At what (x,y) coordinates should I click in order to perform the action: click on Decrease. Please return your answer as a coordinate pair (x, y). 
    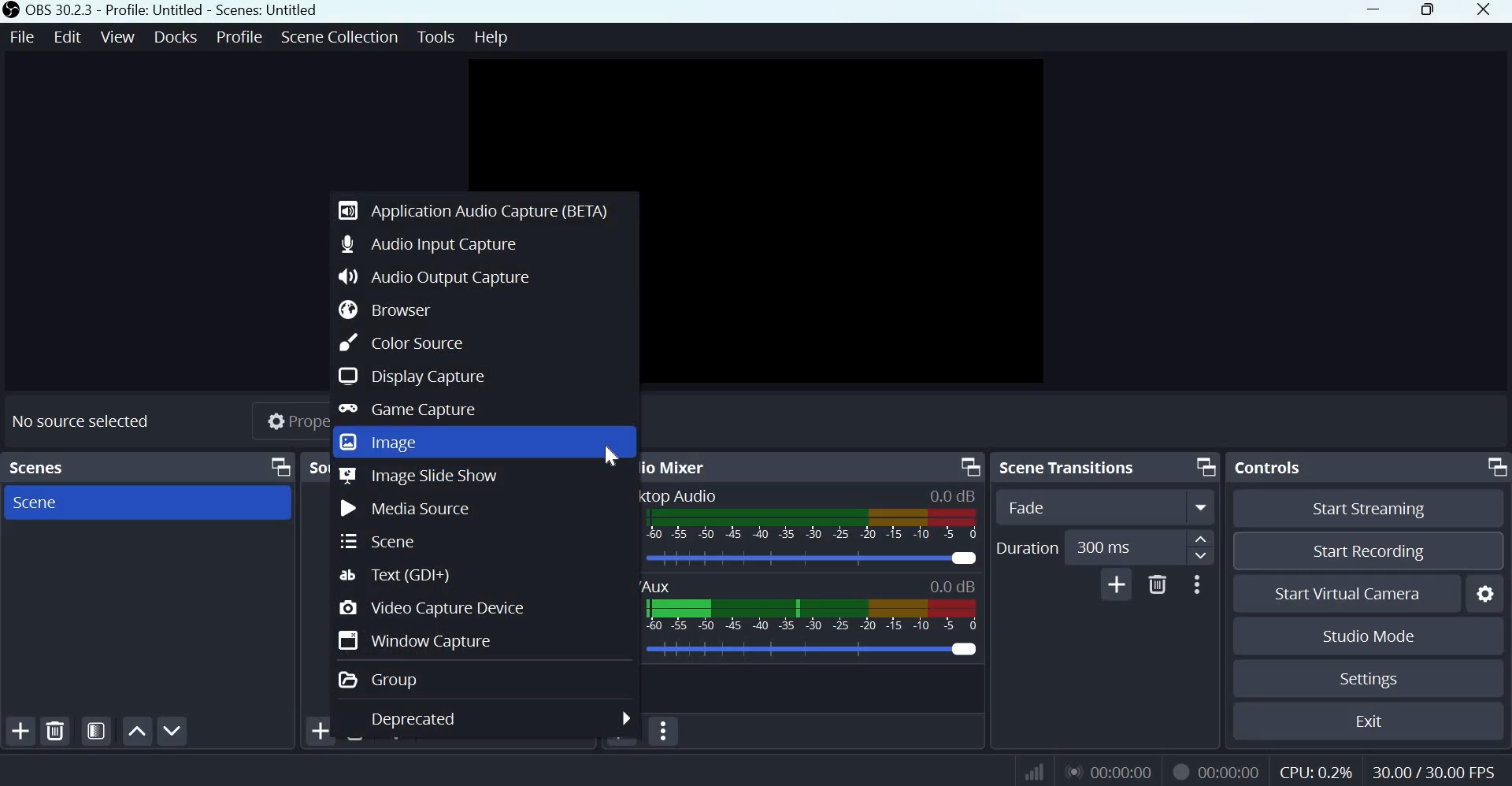
    Looking at the image, I should click on (1204, 558).